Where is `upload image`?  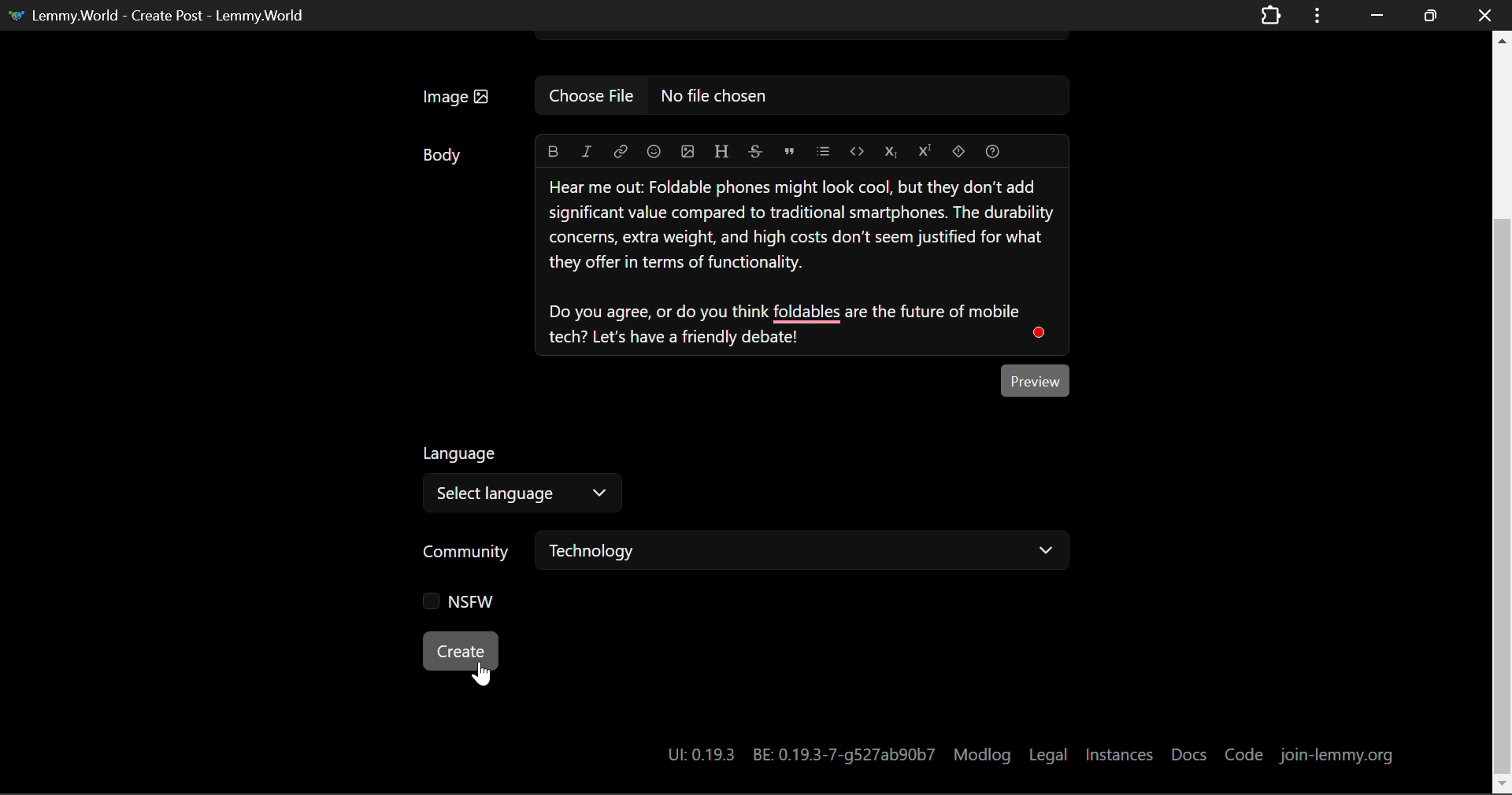 upload image is located at coordinates (688, 152).